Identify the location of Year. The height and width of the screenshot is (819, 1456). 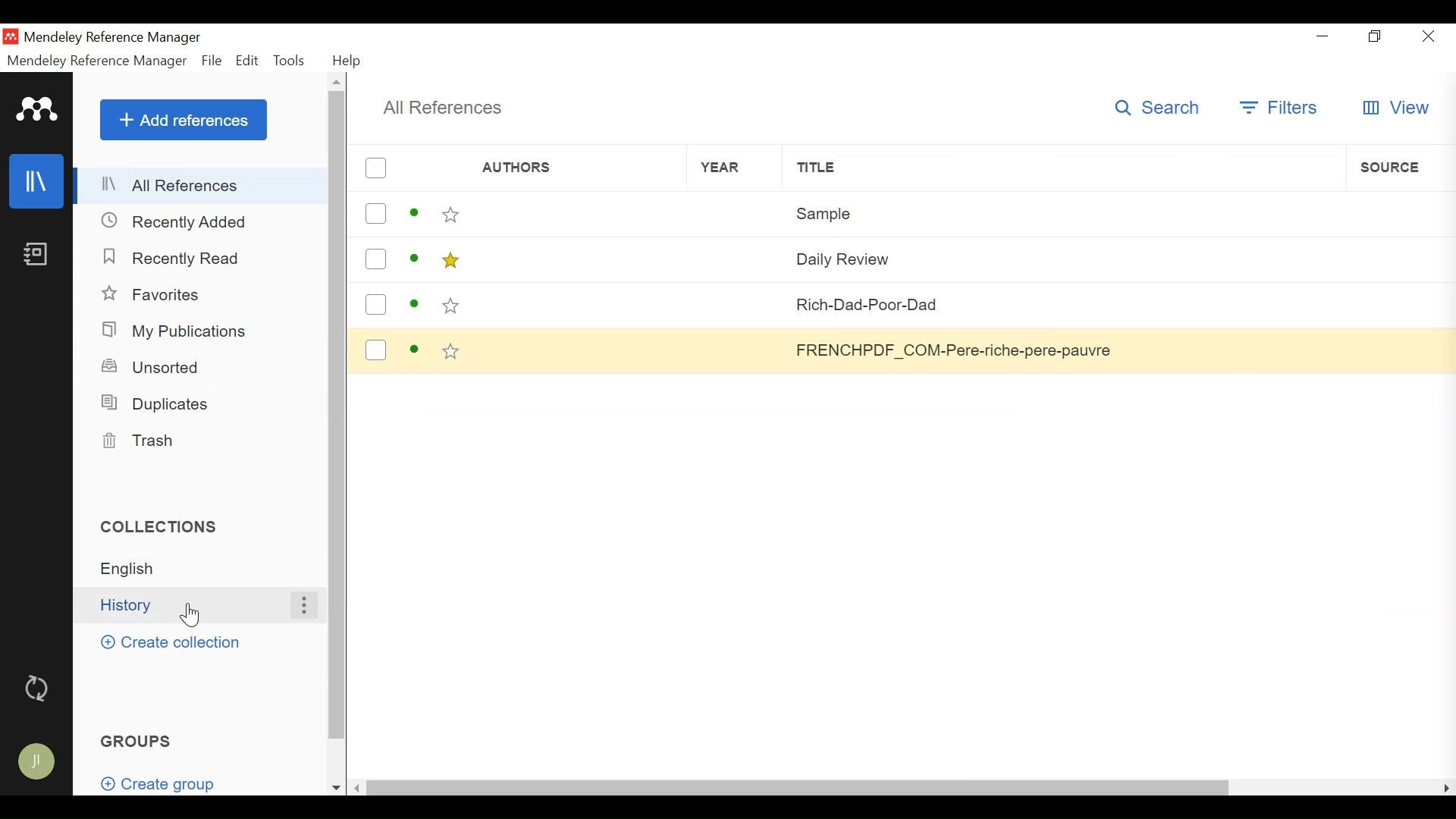
(736, 258).